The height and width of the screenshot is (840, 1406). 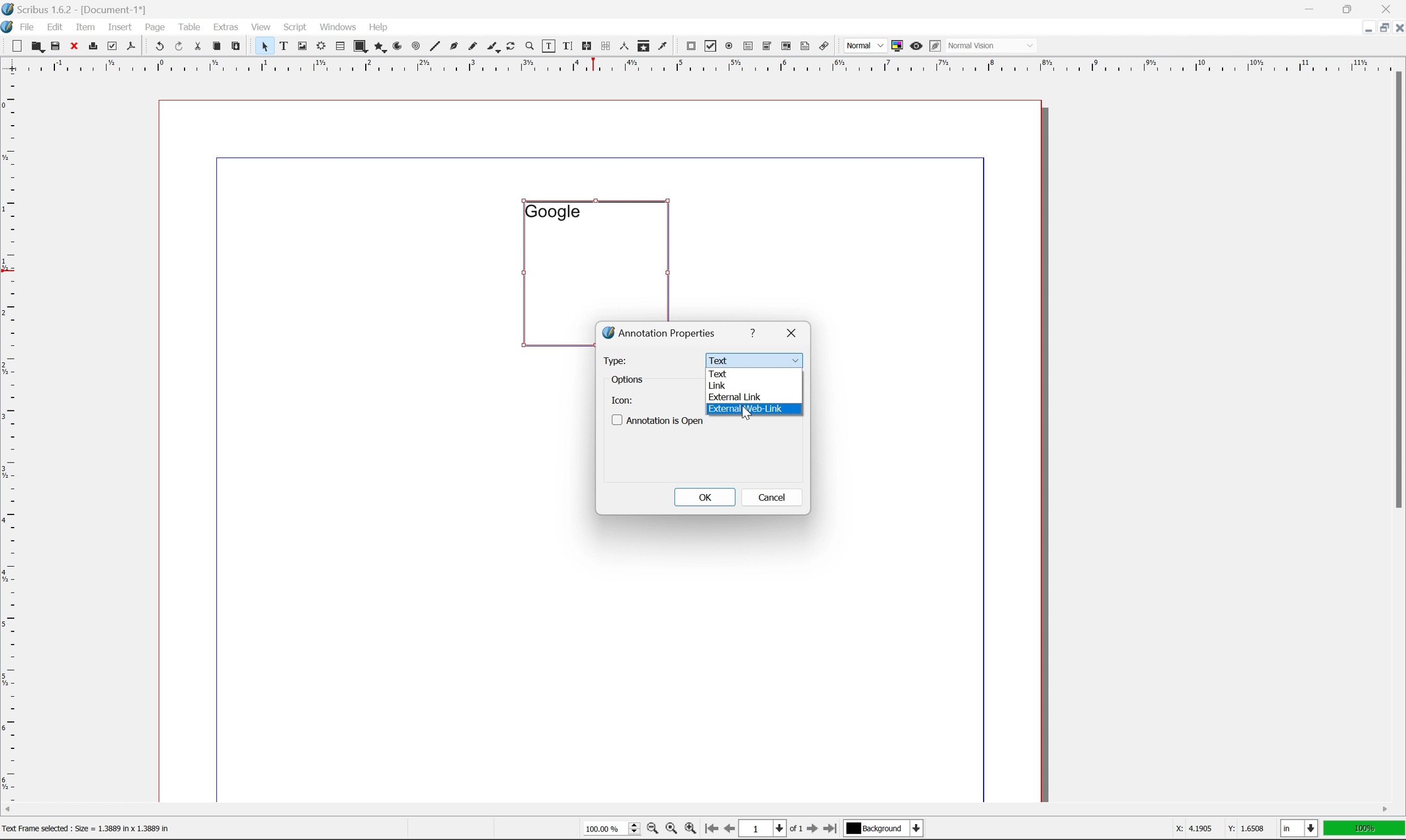 What do you see at coordinates (381, 48) in the screenshot?
I see `polygon` at bounding box center [381, 48].